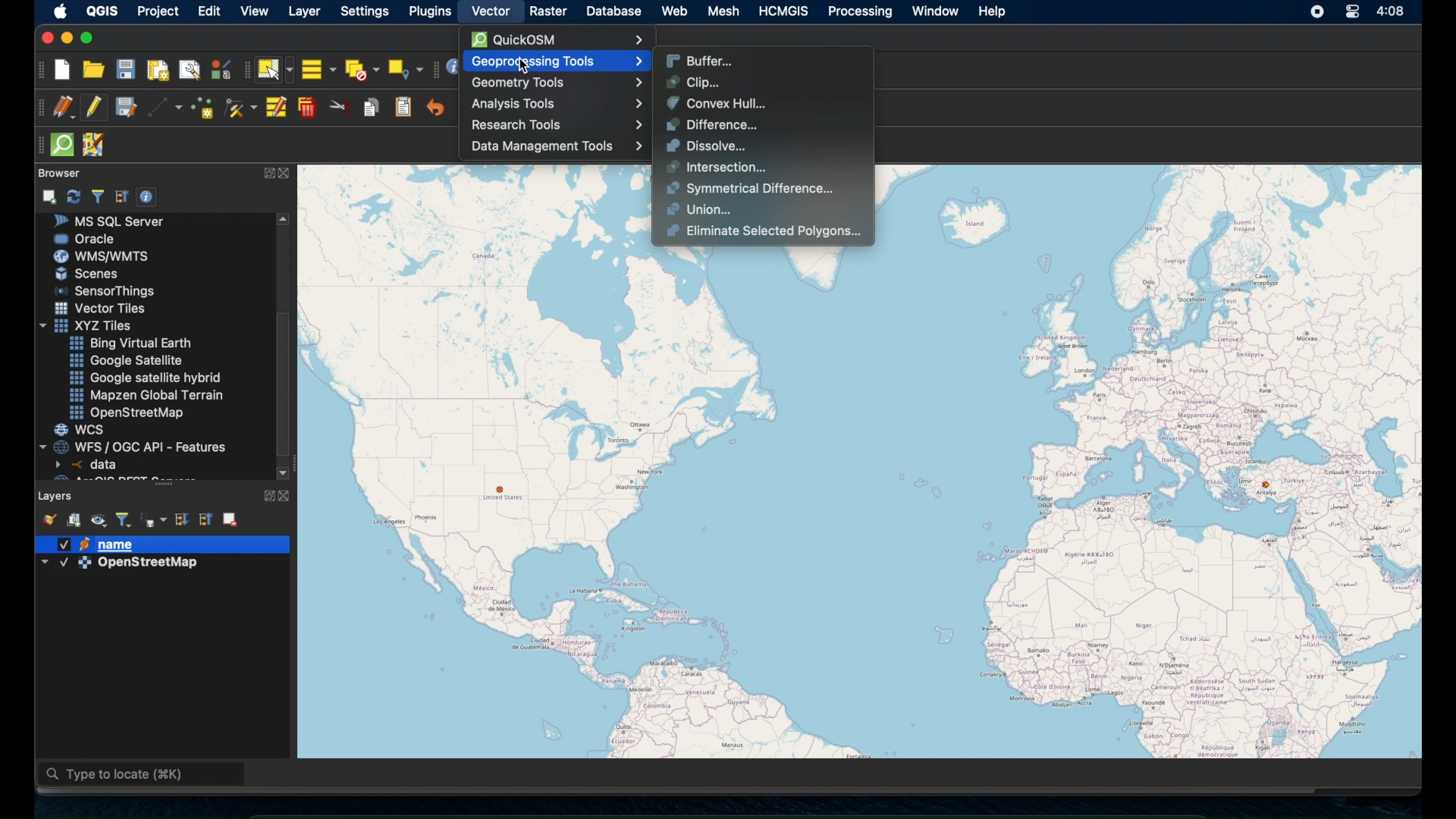 The image size is (1456, 819). I want to click on hidden text, so click(112, 478).